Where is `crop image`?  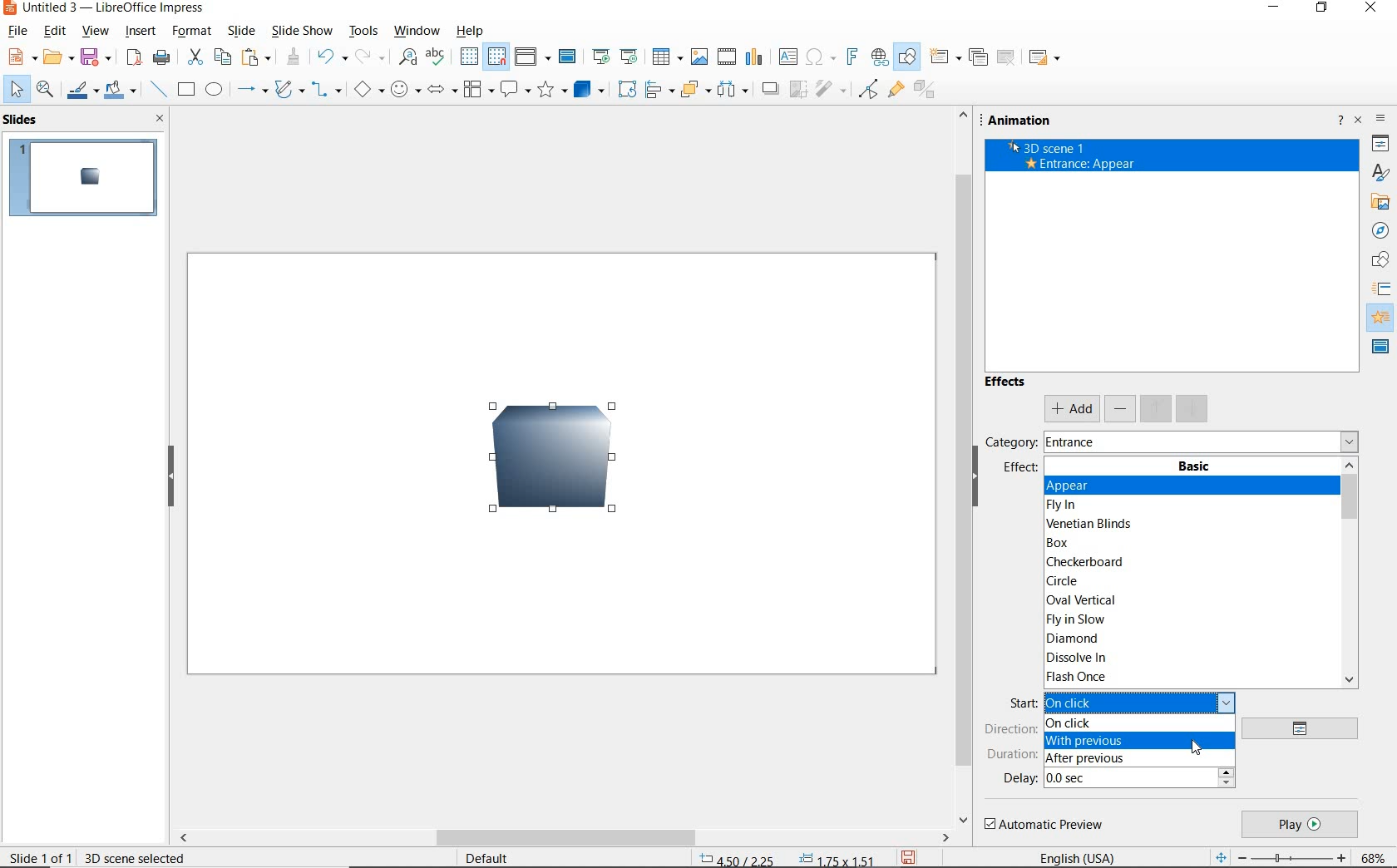 crop image is located at coordinates (799, 87).